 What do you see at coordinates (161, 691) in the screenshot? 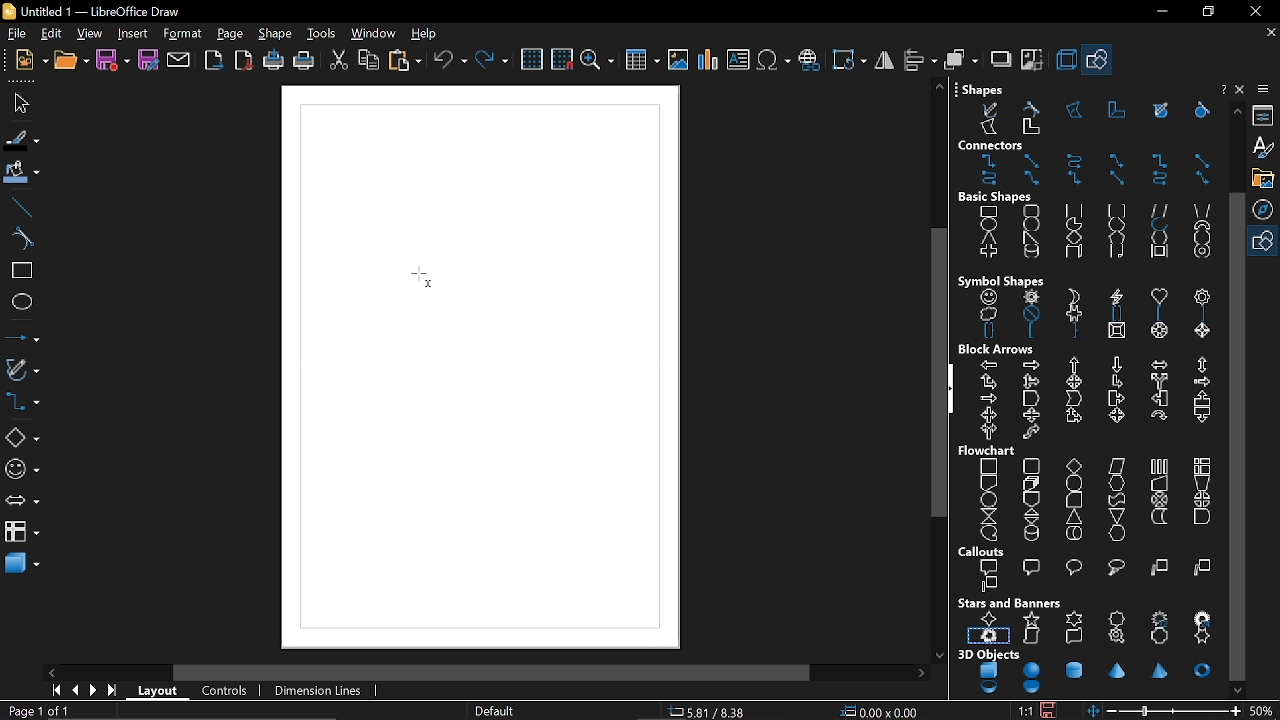
I see `Layout` at bounding box center [161, 691].